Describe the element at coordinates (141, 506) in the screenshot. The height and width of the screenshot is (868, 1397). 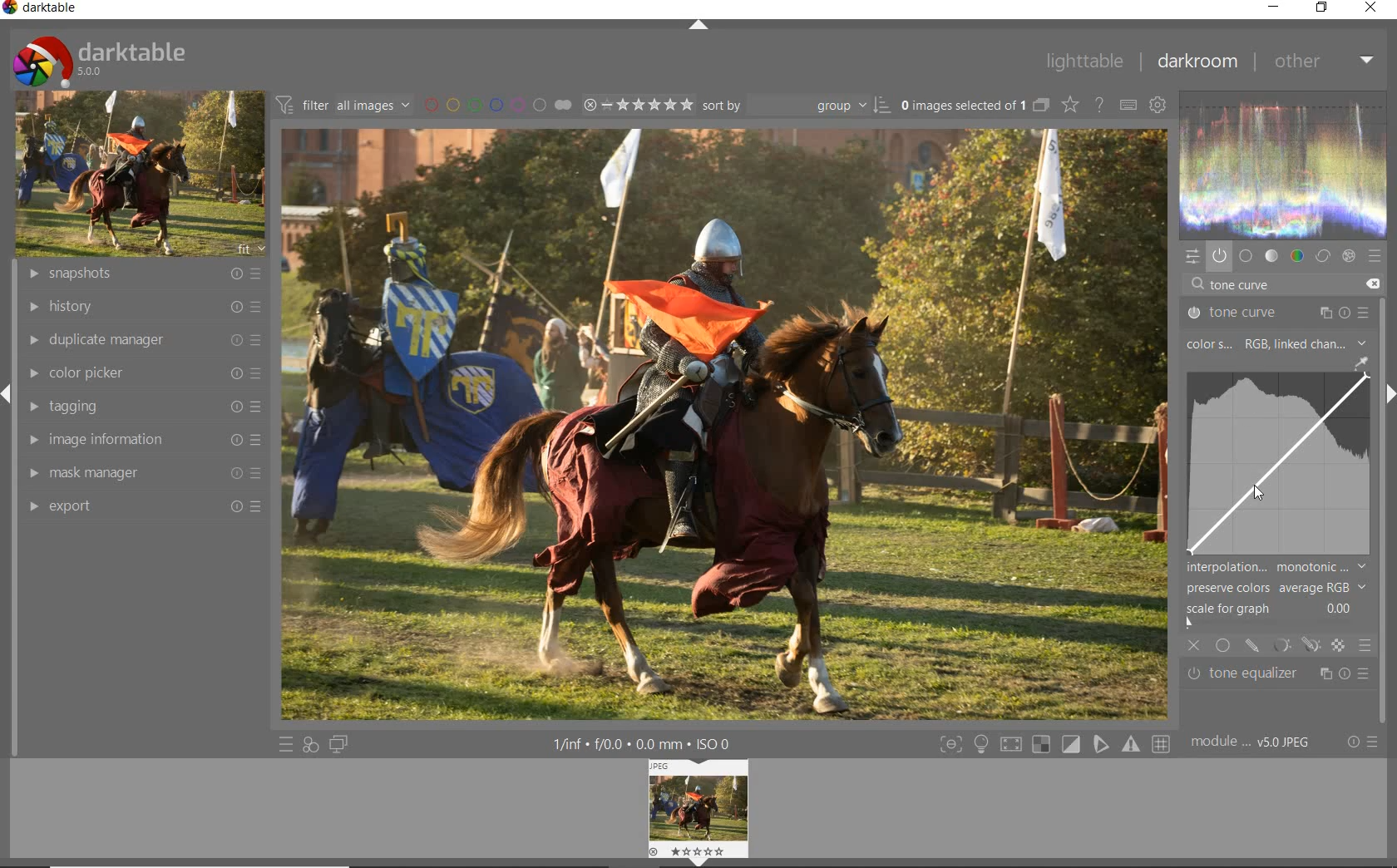
I see `export` at that location.